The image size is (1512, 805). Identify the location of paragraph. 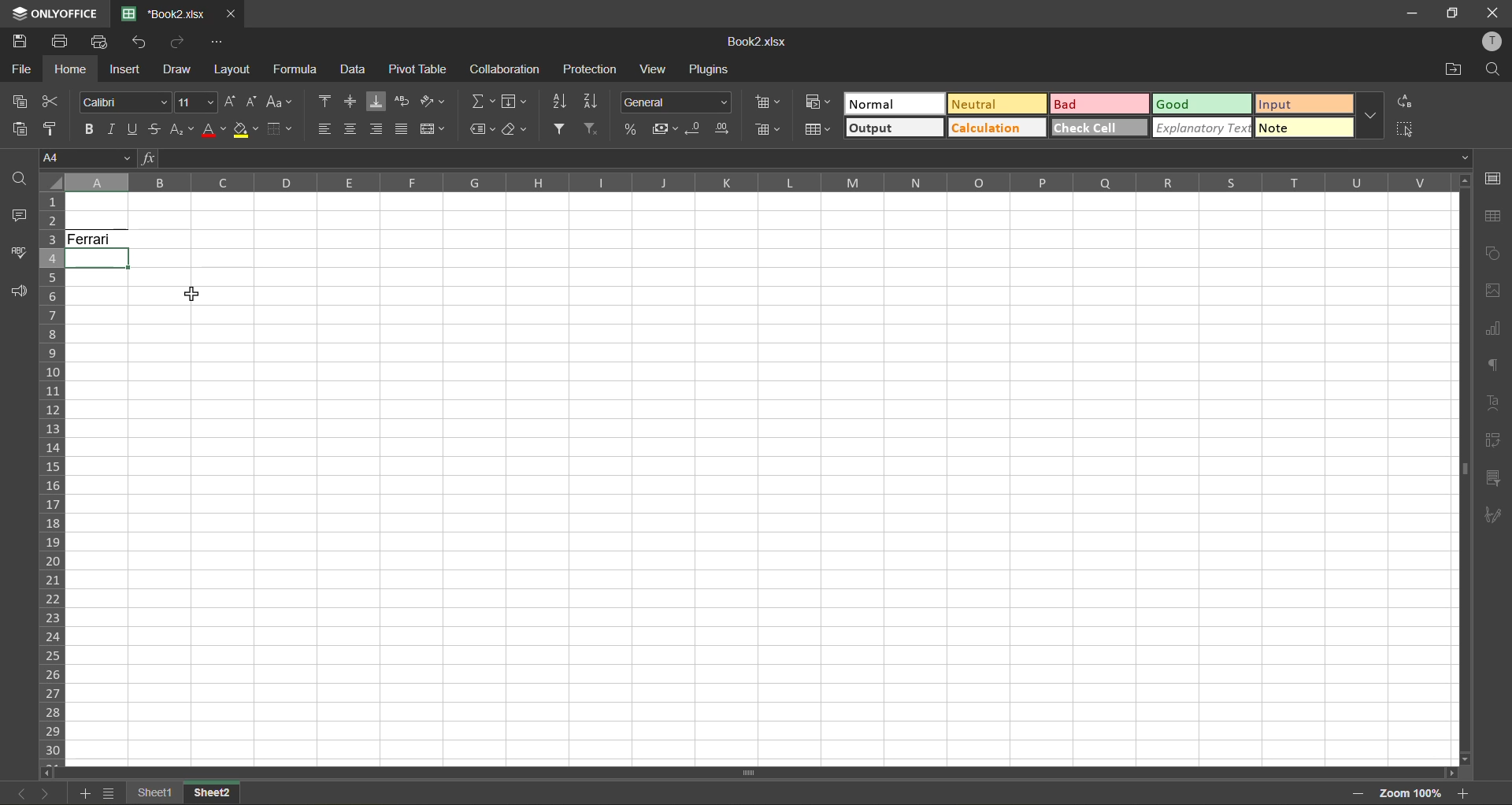
(1490, 367).